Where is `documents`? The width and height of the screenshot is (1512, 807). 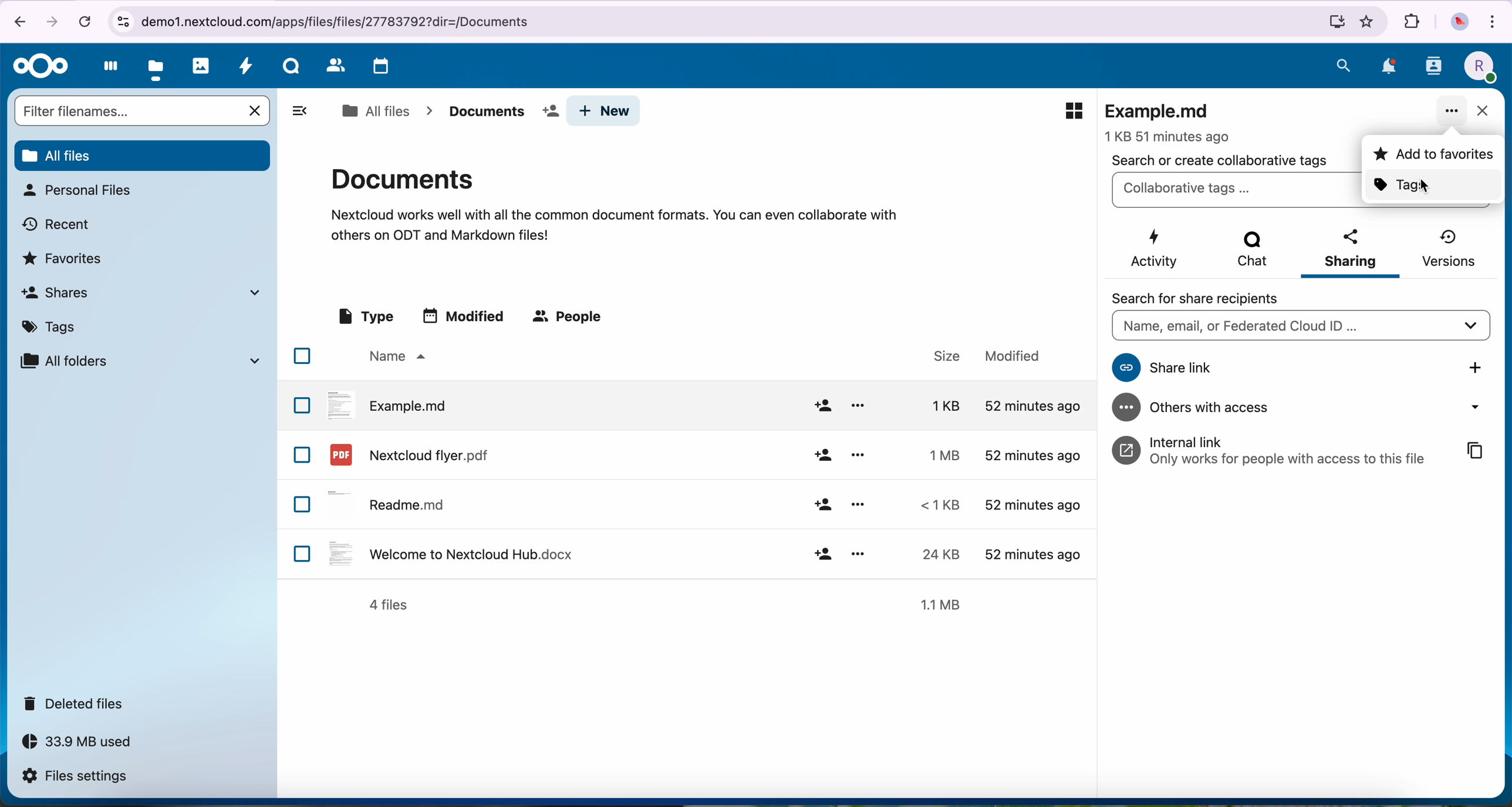 documents is located at coordinates (499, 112).